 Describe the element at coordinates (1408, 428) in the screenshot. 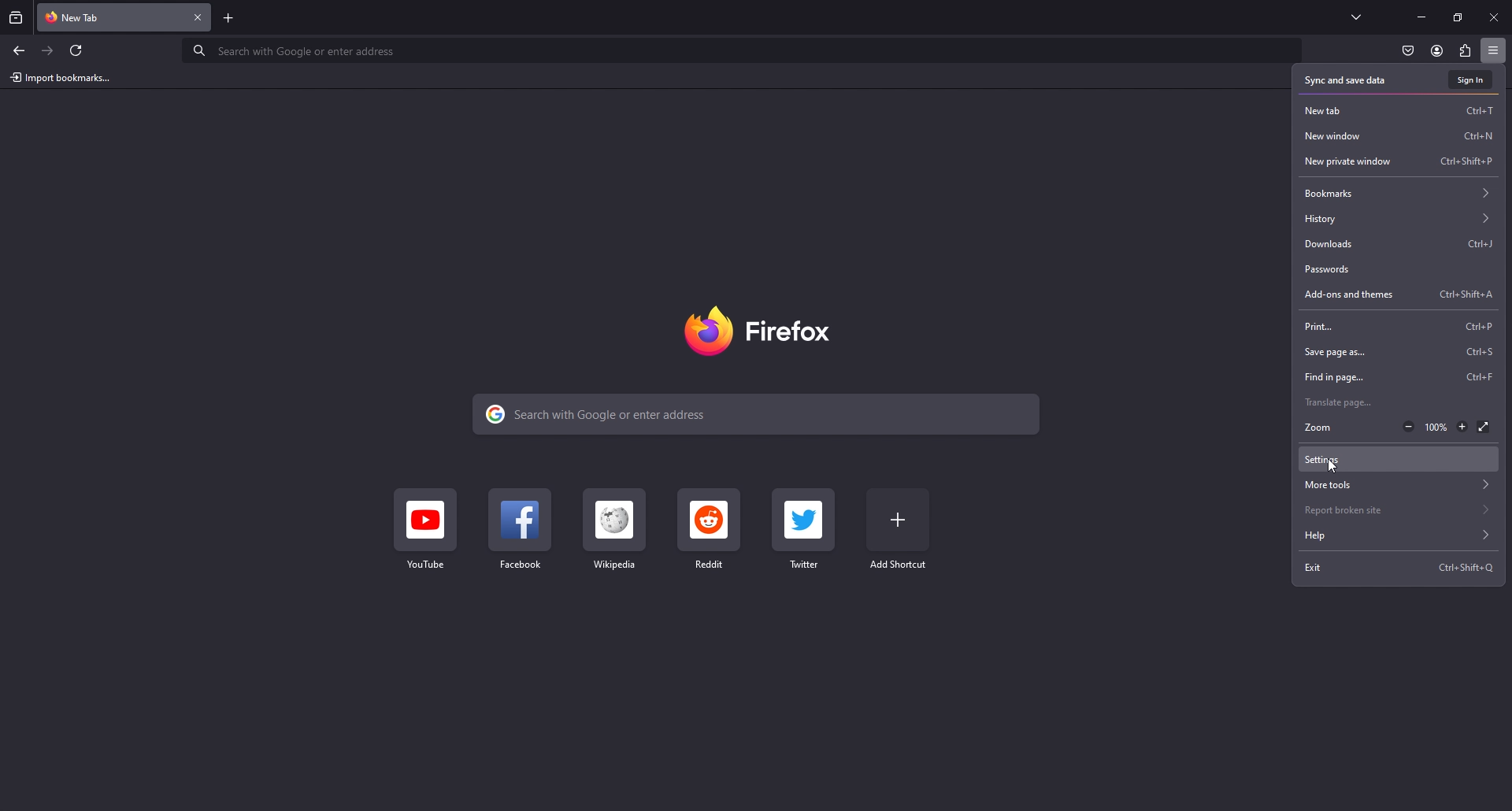

I see `zoom out` at that location.